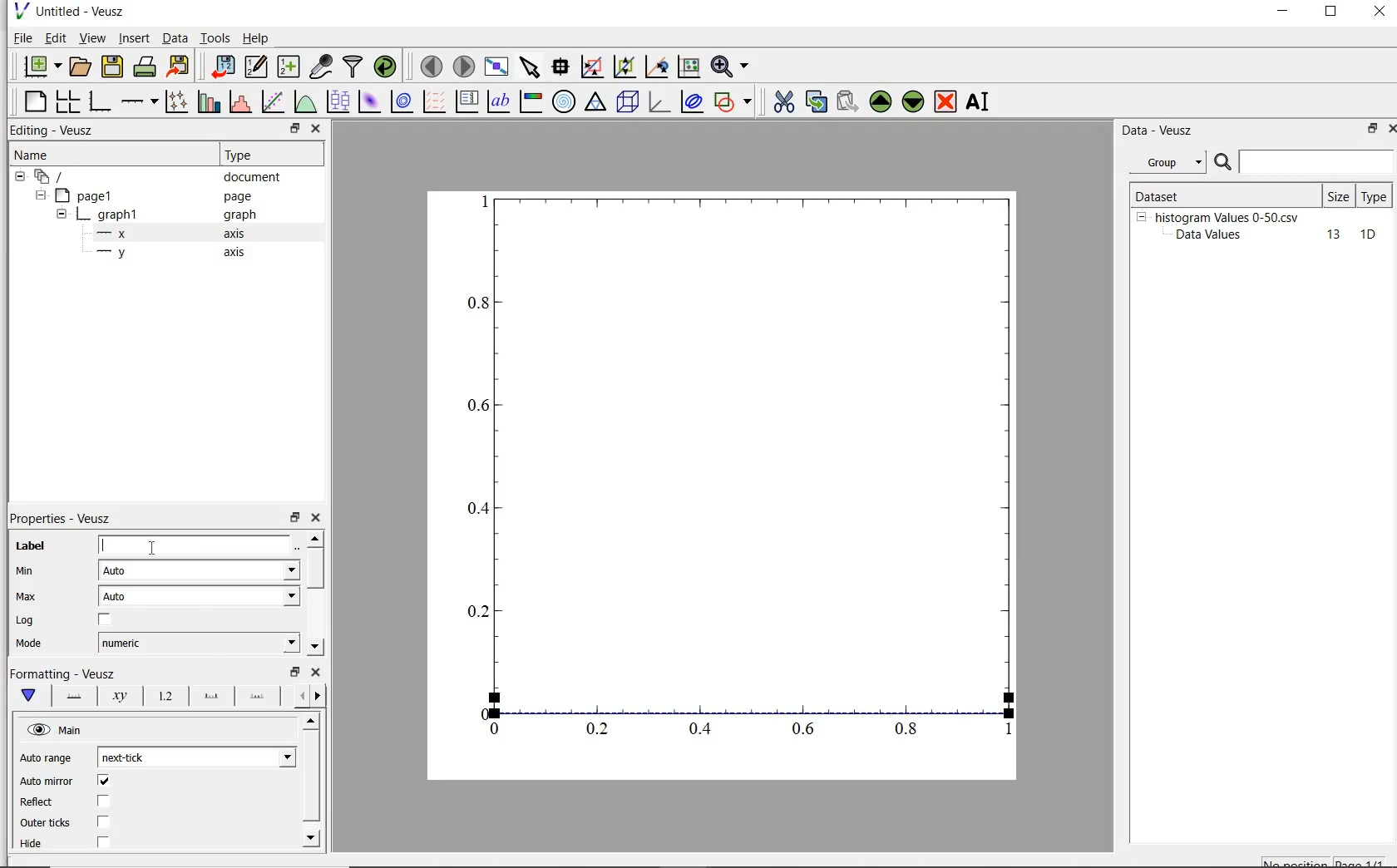 The height and width of the screenshot is (868, 1397). What do you see at coordinates (239, 254) in the screenshot?
I see `axis` at bounding box center [239, 254].